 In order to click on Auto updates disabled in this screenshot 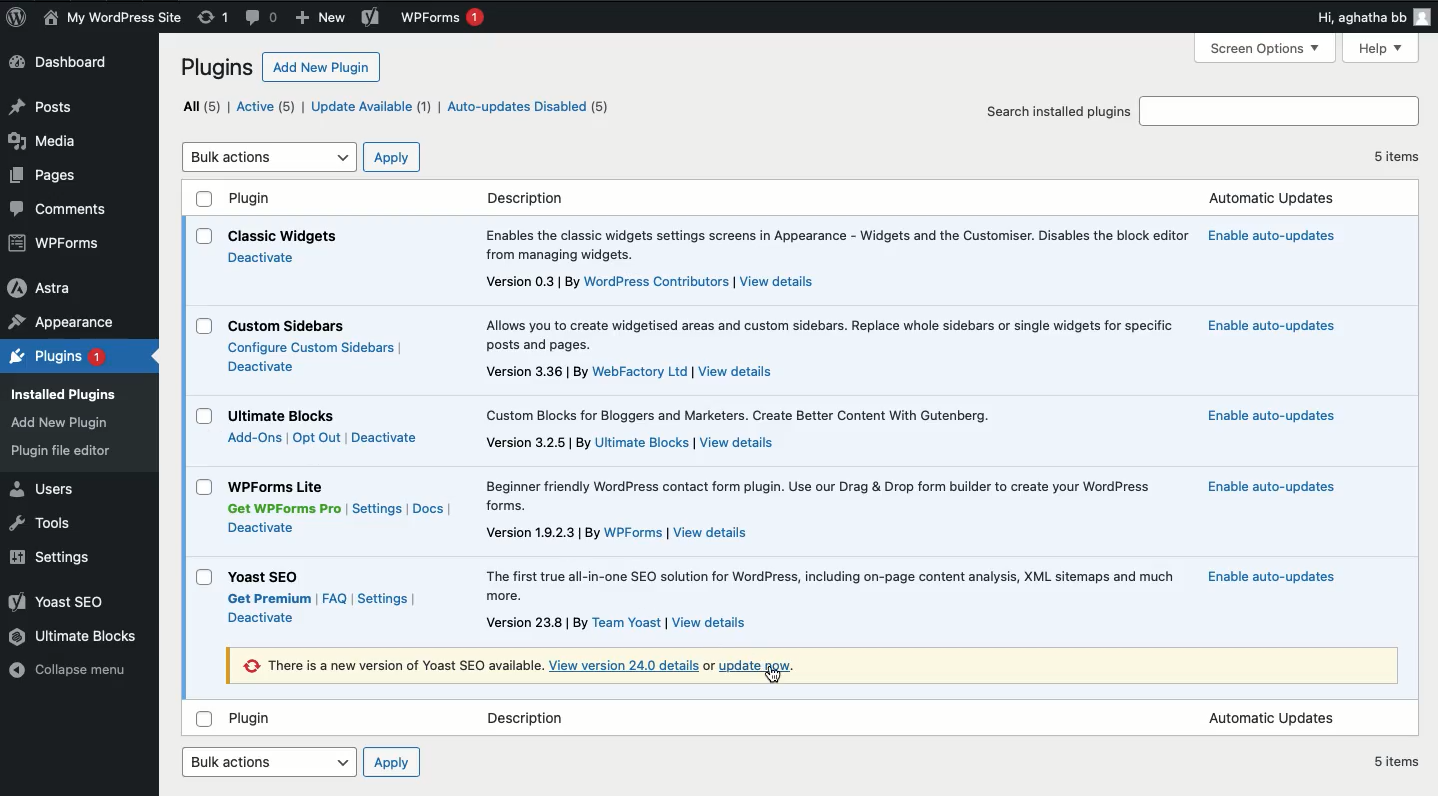, I will do `click(528, 108)`.